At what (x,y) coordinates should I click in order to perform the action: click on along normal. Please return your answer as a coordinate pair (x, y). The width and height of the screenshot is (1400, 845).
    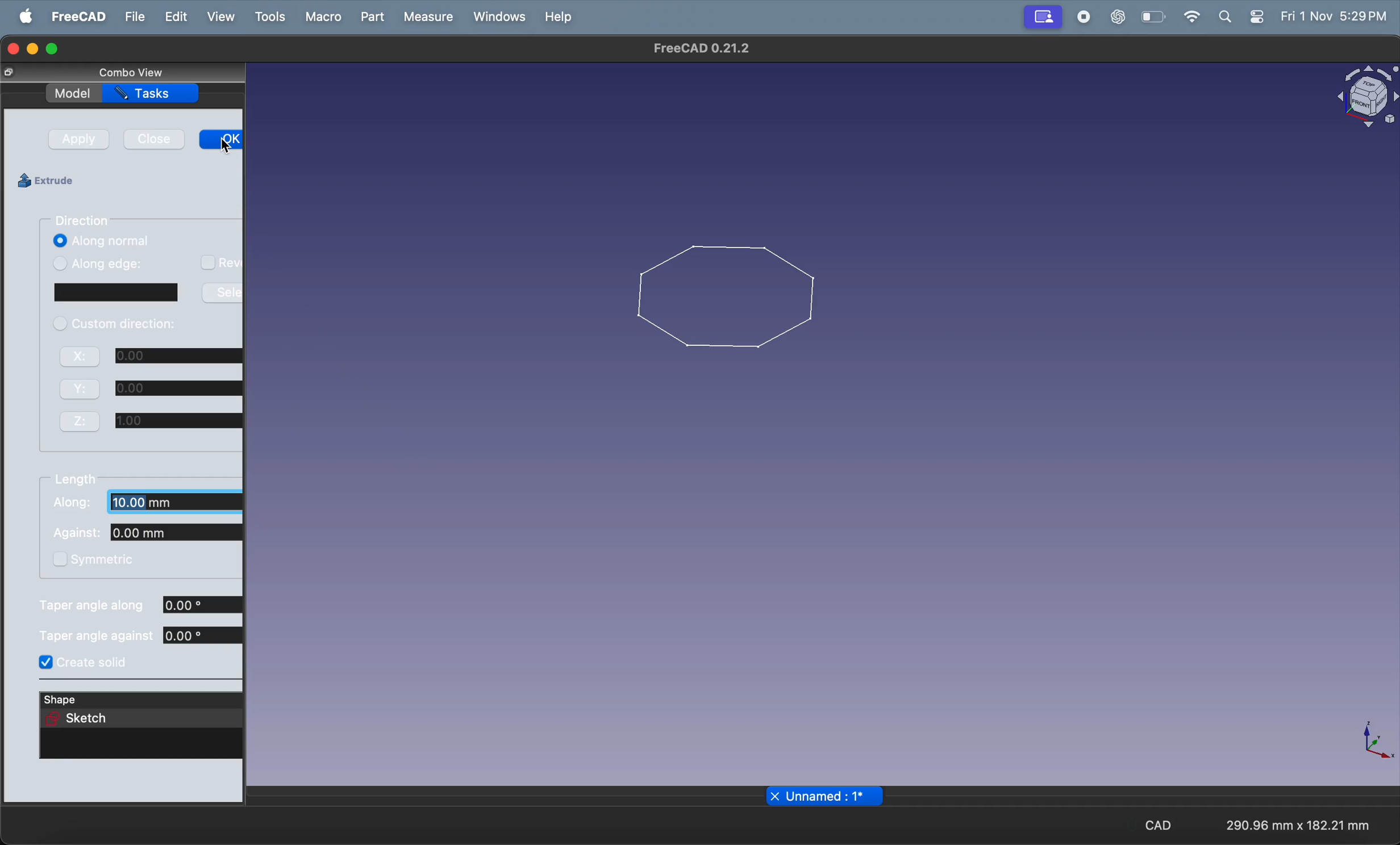
    Looking at the image, I should click on (142, 241).